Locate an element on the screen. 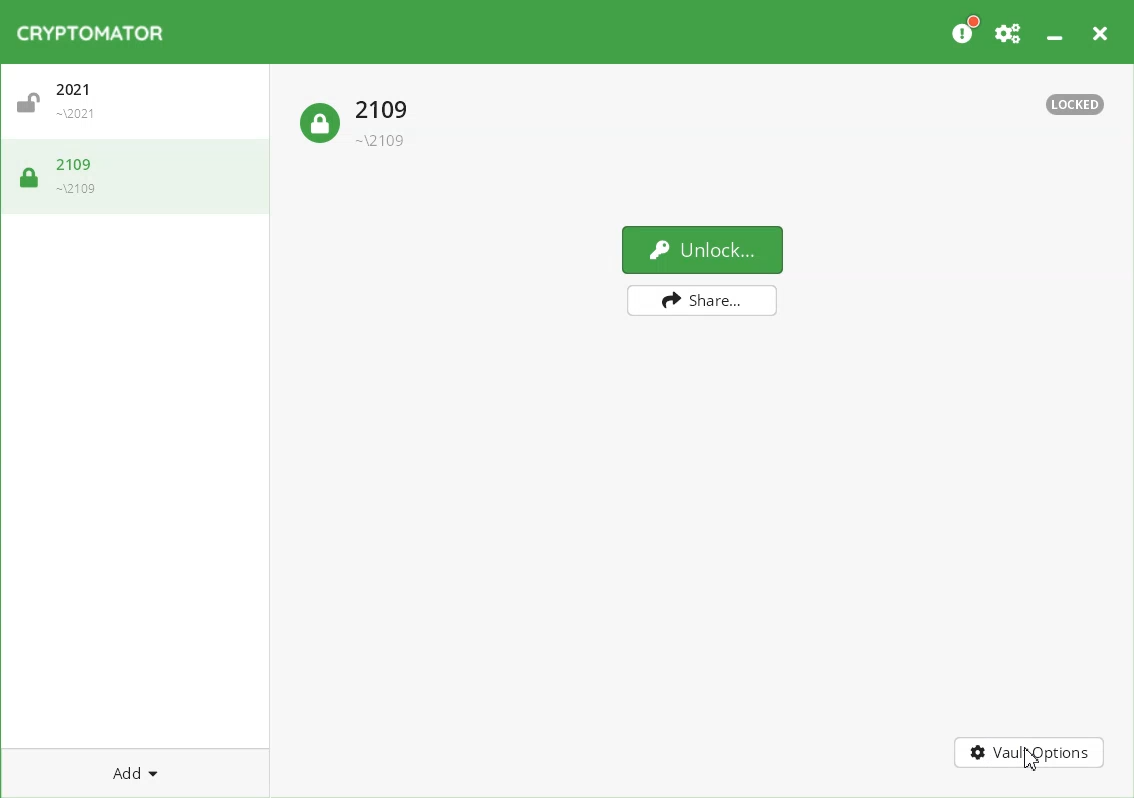  Add is located at coordinates (136, 773).